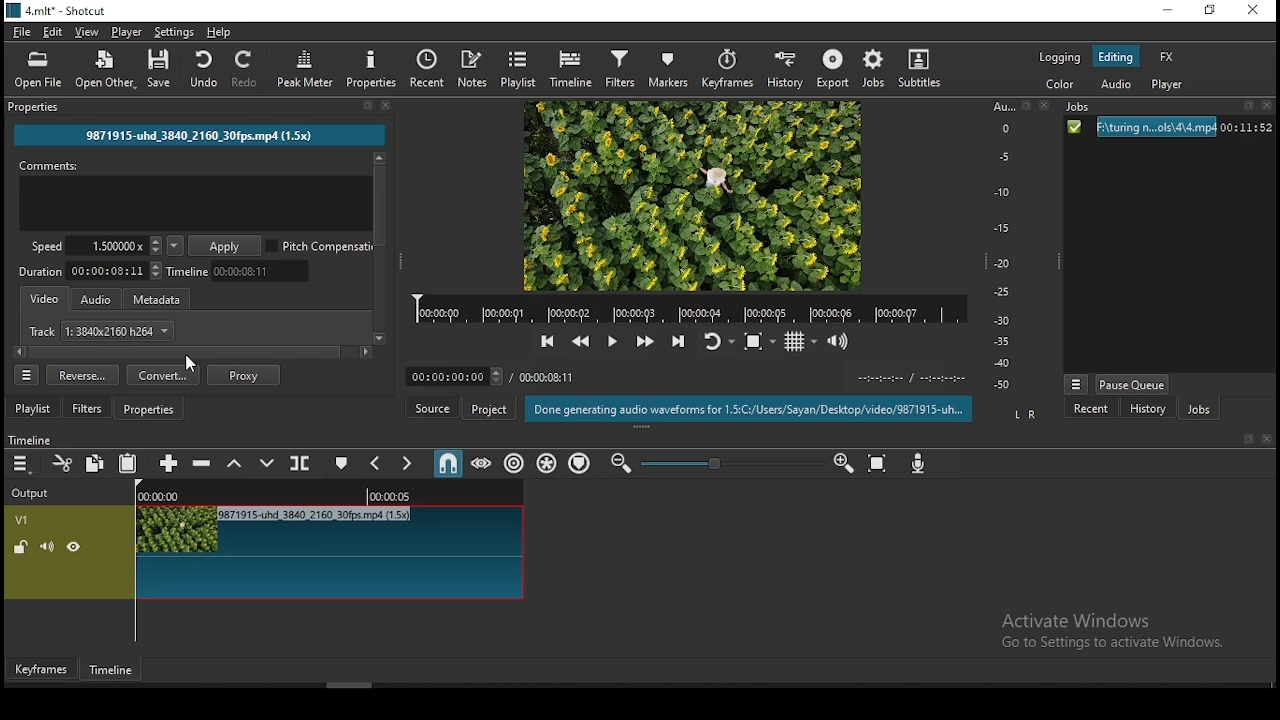 The width and height of the screenshot is (1280, 720). What do you see at coordinates (408, 463) in the screenshot?
I see `next marker` at bounding box center [408, 463].